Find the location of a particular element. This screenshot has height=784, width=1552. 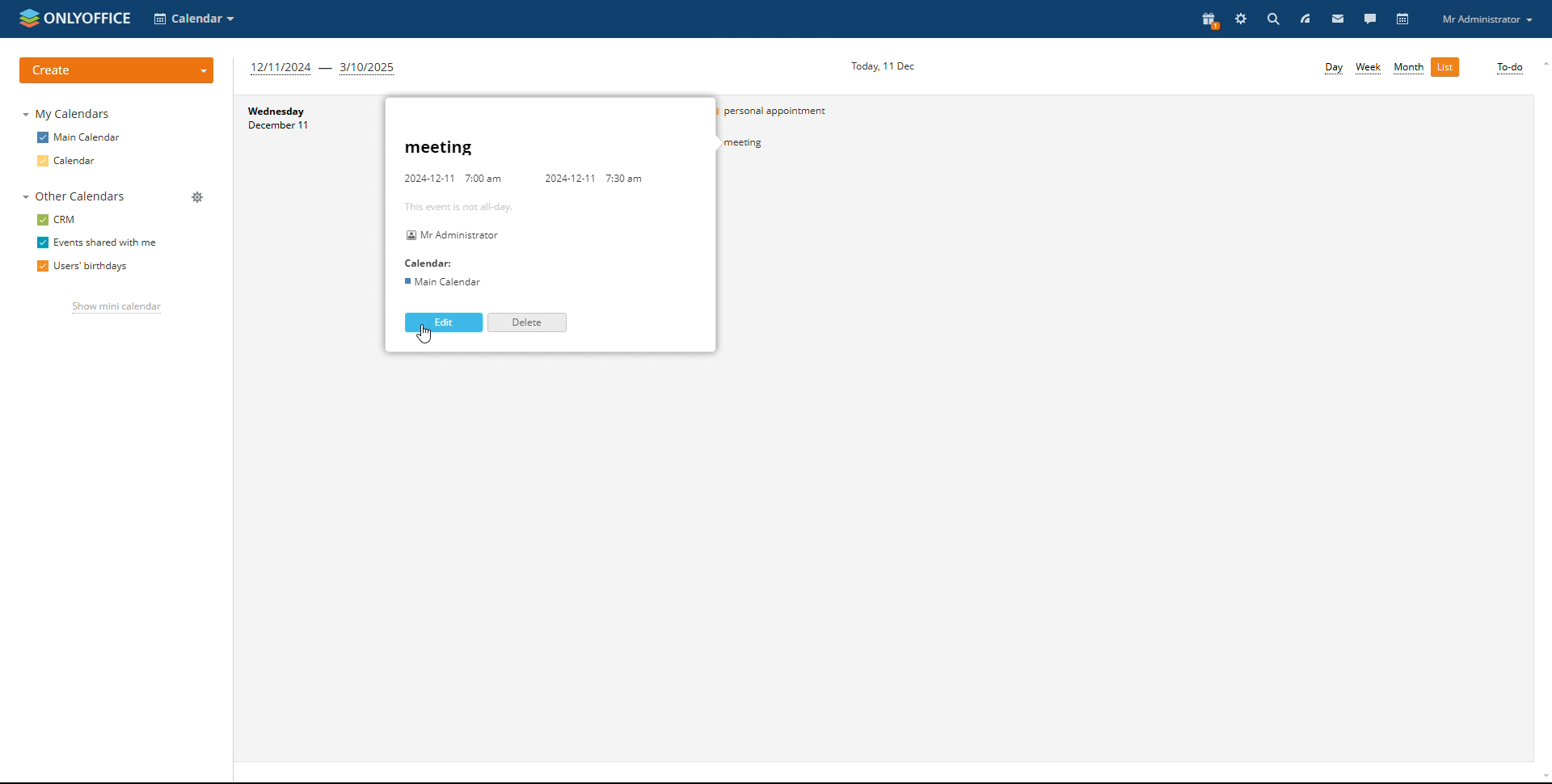

events is located at coordinates (792, 111).